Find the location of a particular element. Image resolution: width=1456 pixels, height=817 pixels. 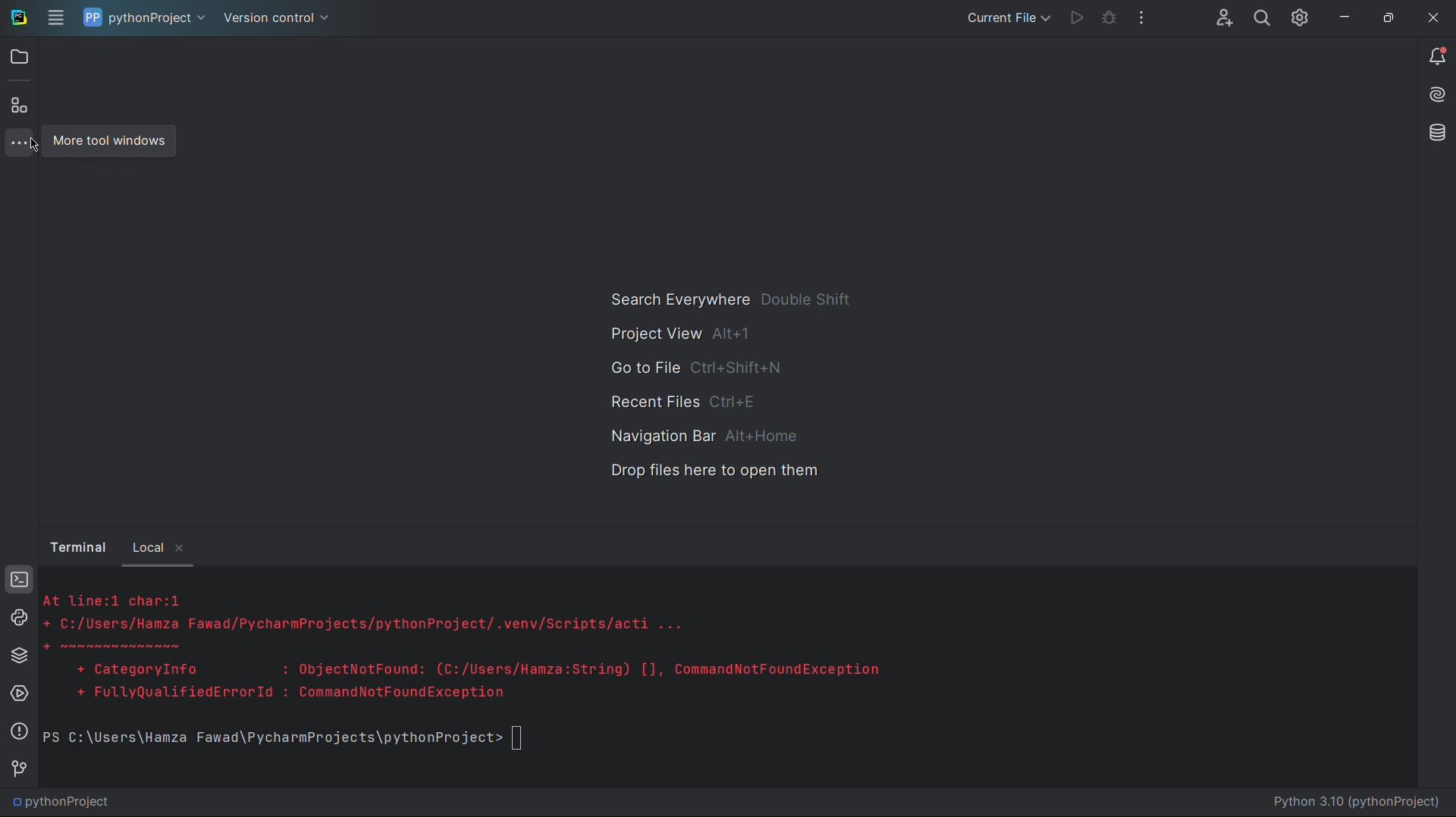

Version Control is located at coordinates (17, 768).